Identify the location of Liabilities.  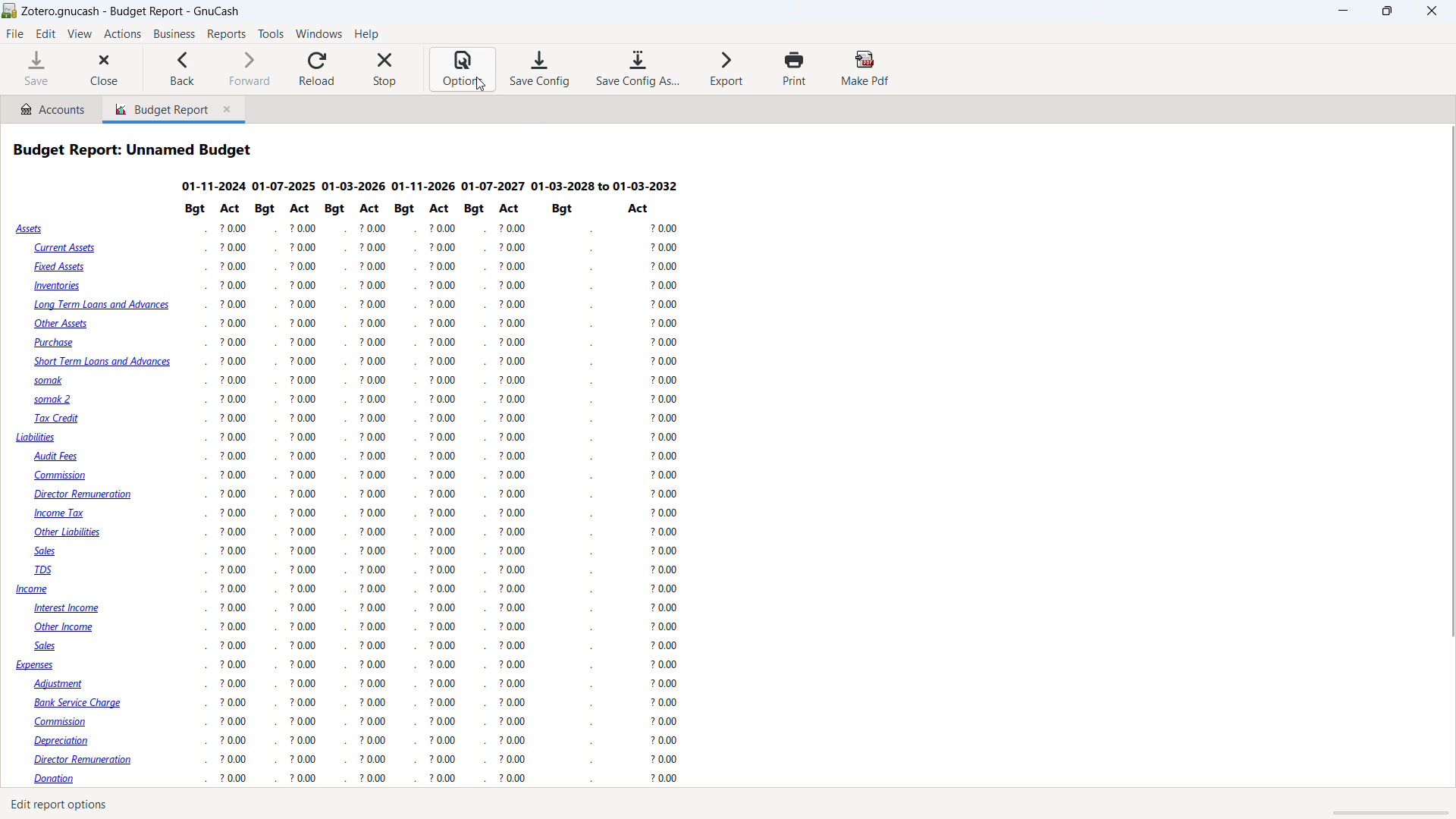
(36, 438).